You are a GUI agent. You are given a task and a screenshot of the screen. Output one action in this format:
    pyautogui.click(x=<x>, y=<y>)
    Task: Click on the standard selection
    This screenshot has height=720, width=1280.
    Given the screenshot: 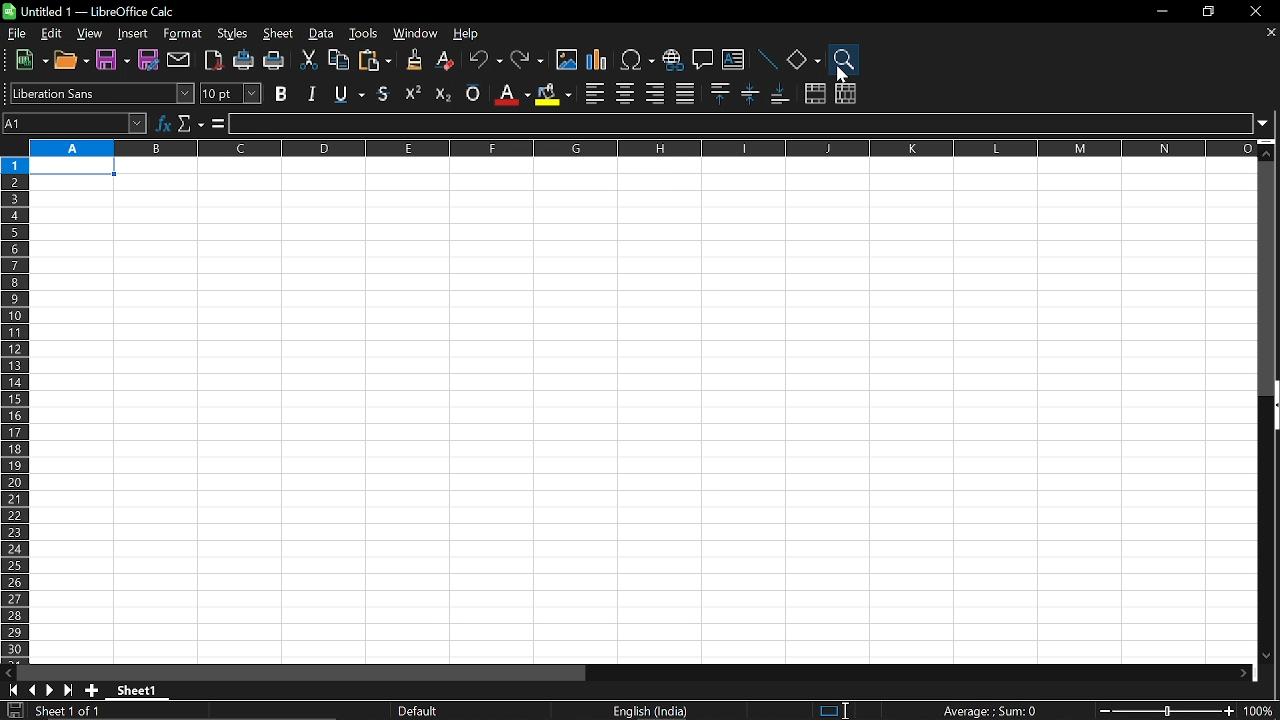 What is the action you would take?
    pyautogui.click(x=834, y=710)
    